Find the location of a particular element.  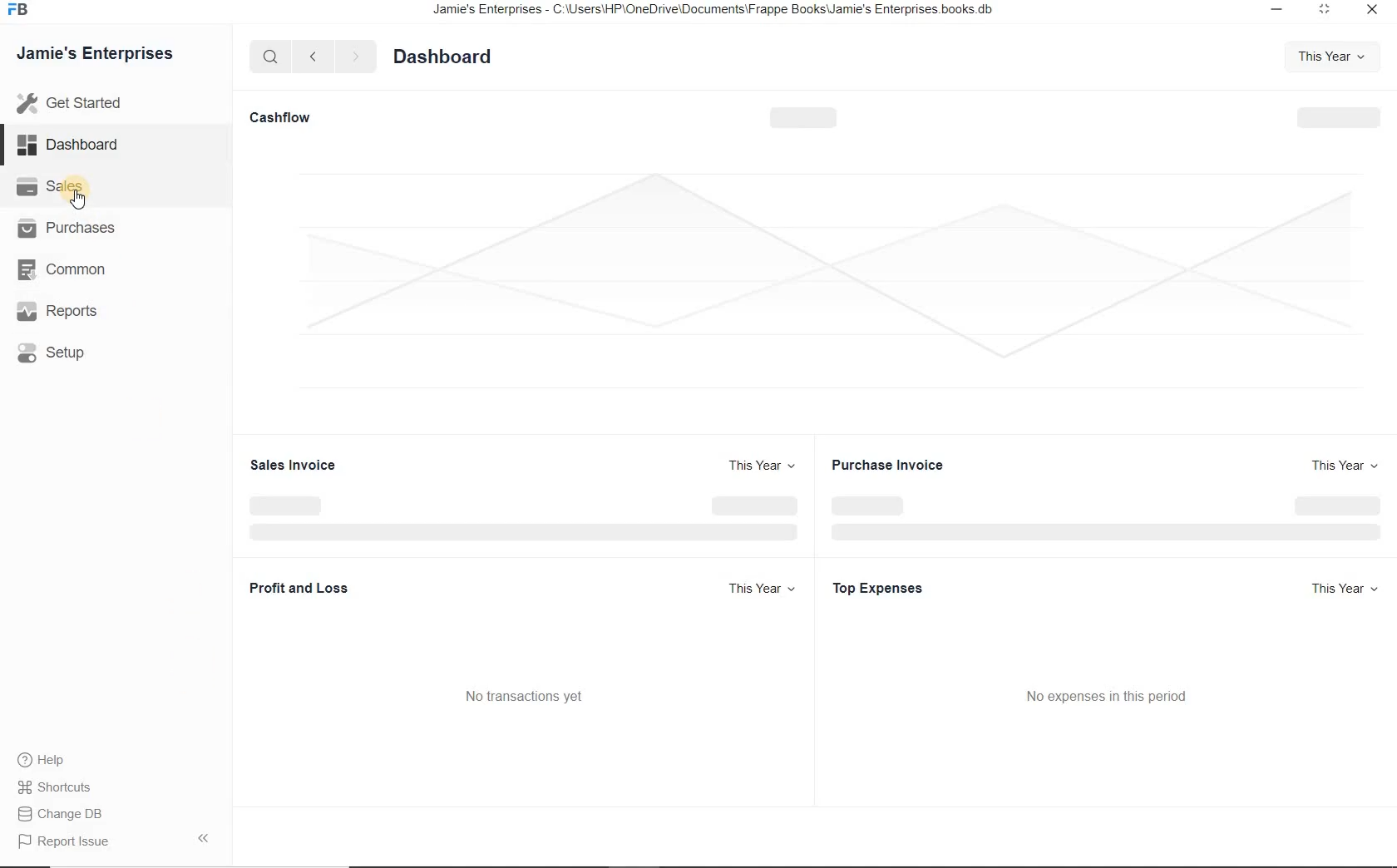

No transactions yet is located at coordinates (453, 701).